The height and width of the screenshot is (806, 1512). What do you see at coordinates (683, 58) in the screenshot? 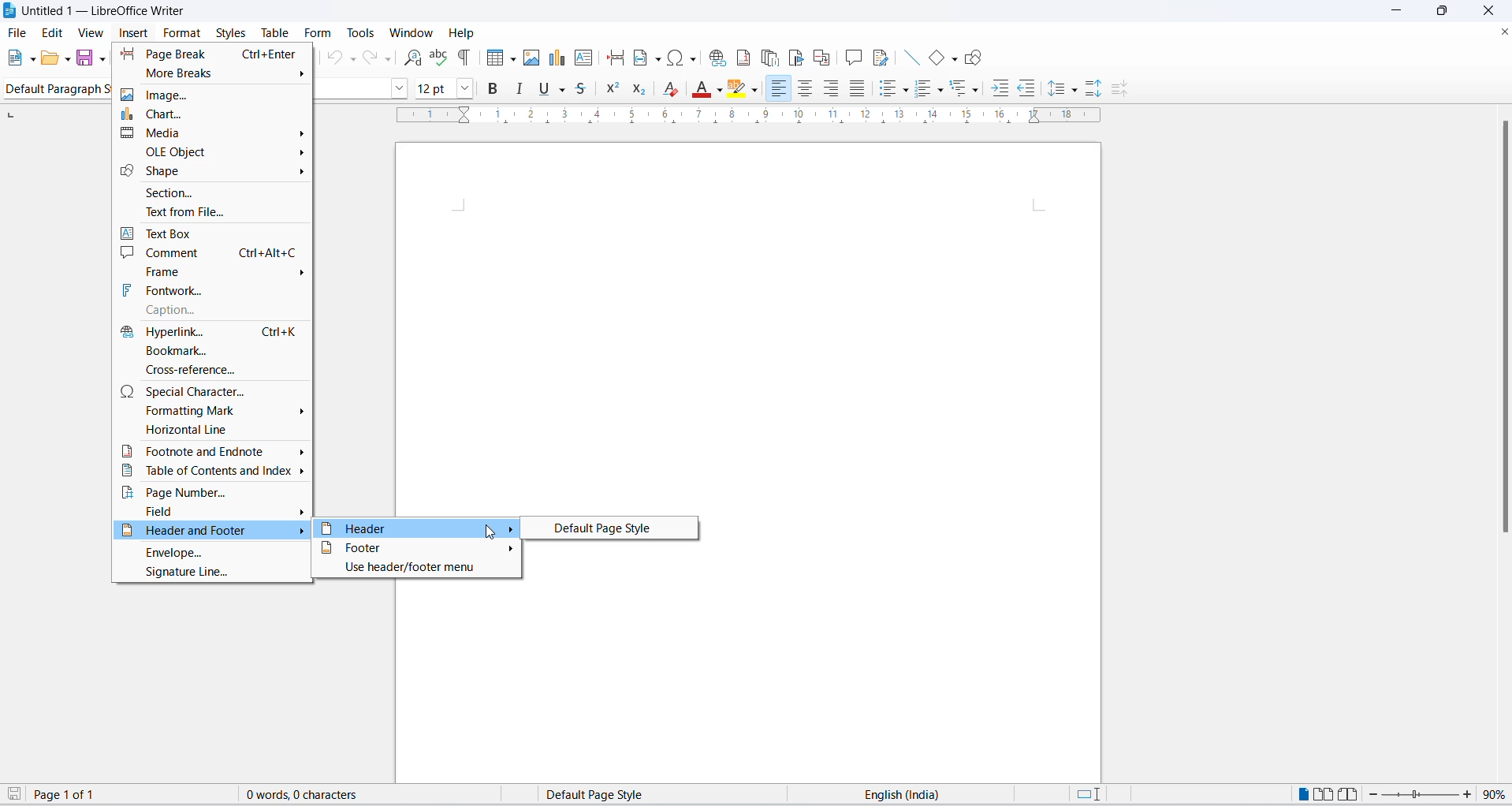
I see `insert special characters` at bounding box center [683, 58].